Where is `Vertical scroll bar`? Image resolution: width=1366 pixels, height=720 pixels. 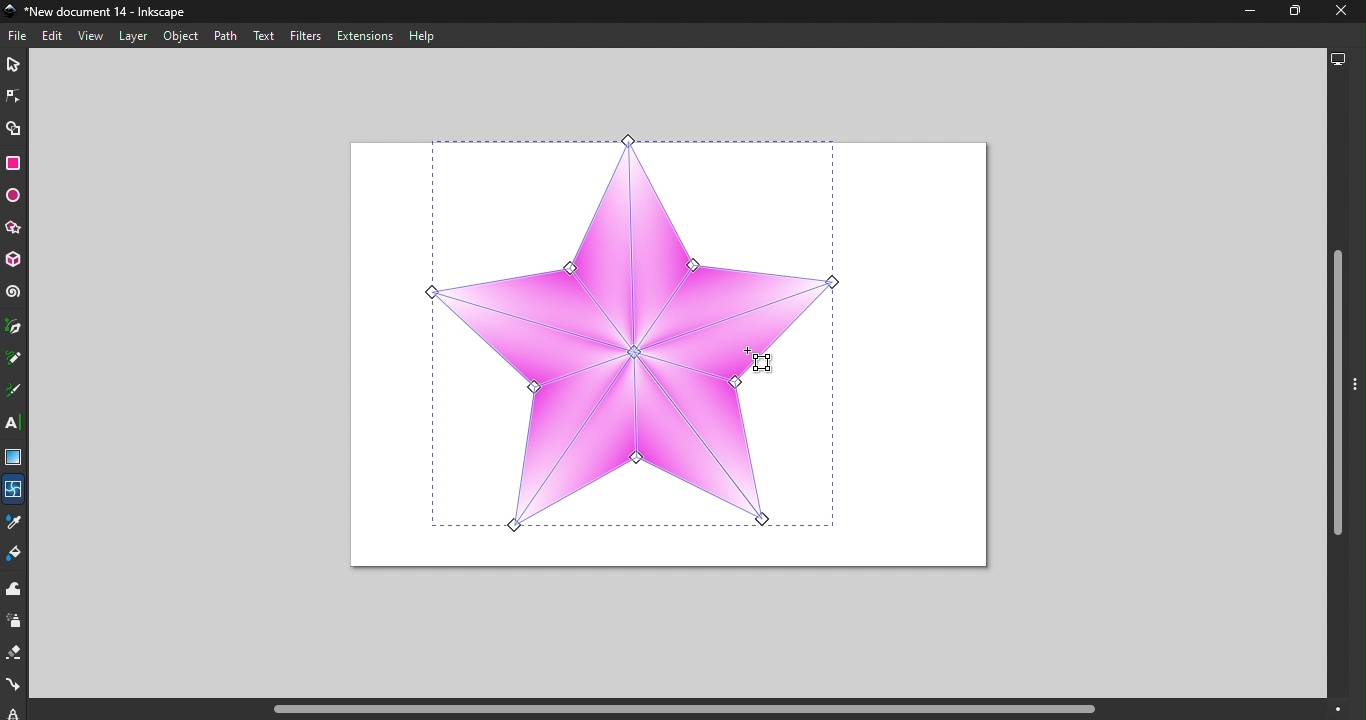 Vertical scroll bar is located at coordinates (1337, 386).